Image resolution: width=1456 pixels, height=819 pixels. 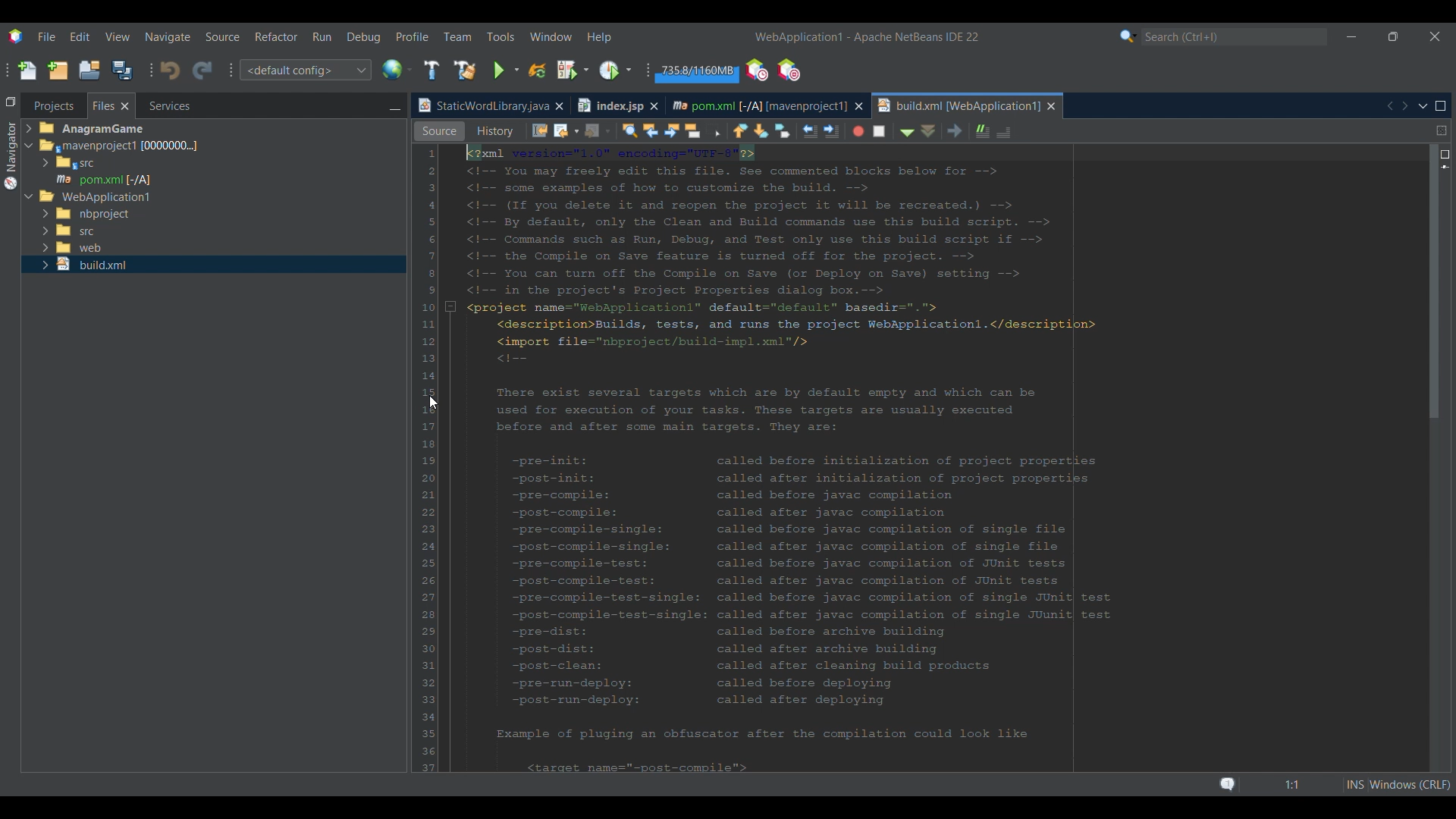 What do you see at coordinates (964, 130) in the screenshot?
I see `Shift line right` at bounding box center [964, 130].